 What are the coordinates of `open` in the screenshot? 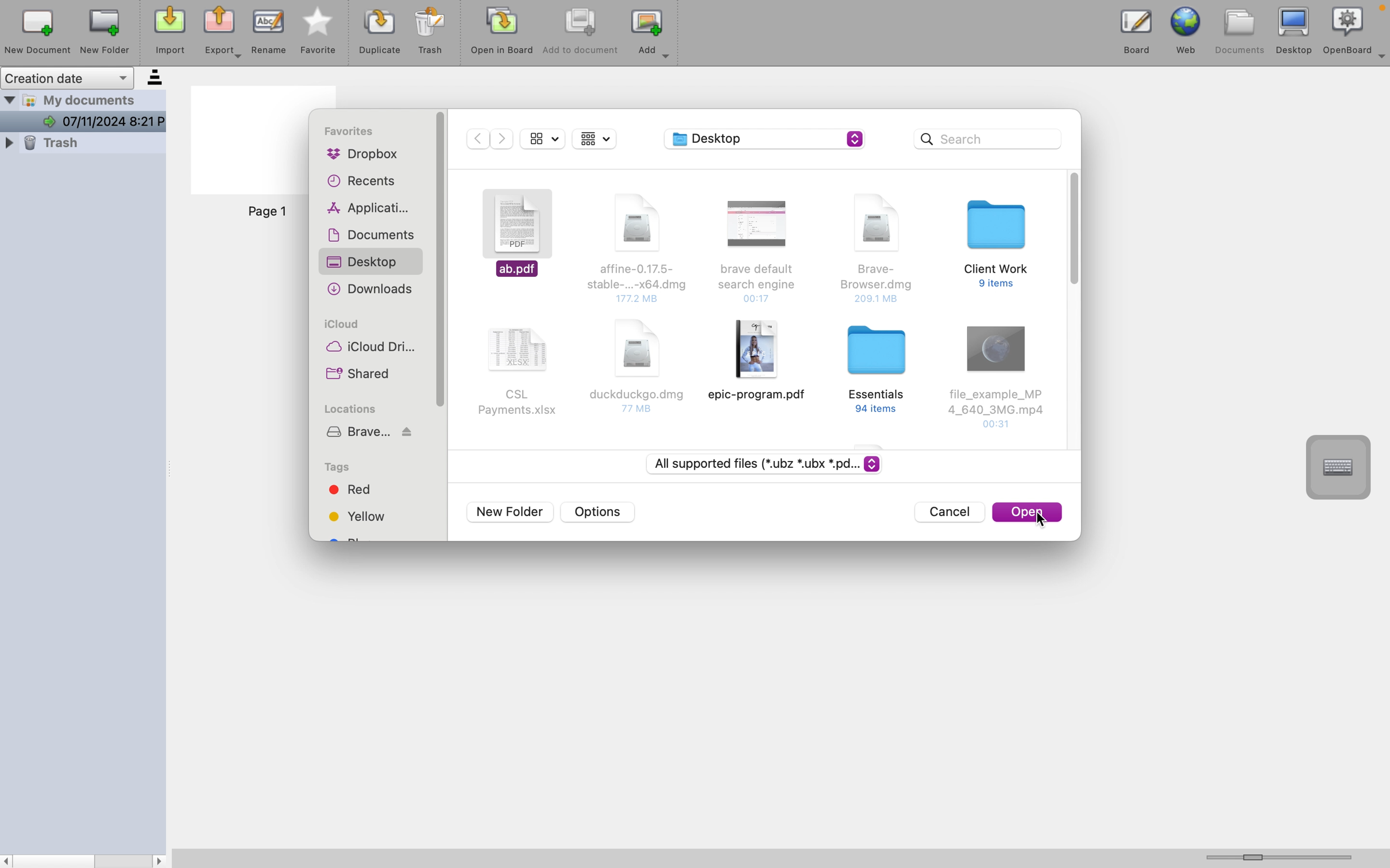 It's located at (1023, 511).